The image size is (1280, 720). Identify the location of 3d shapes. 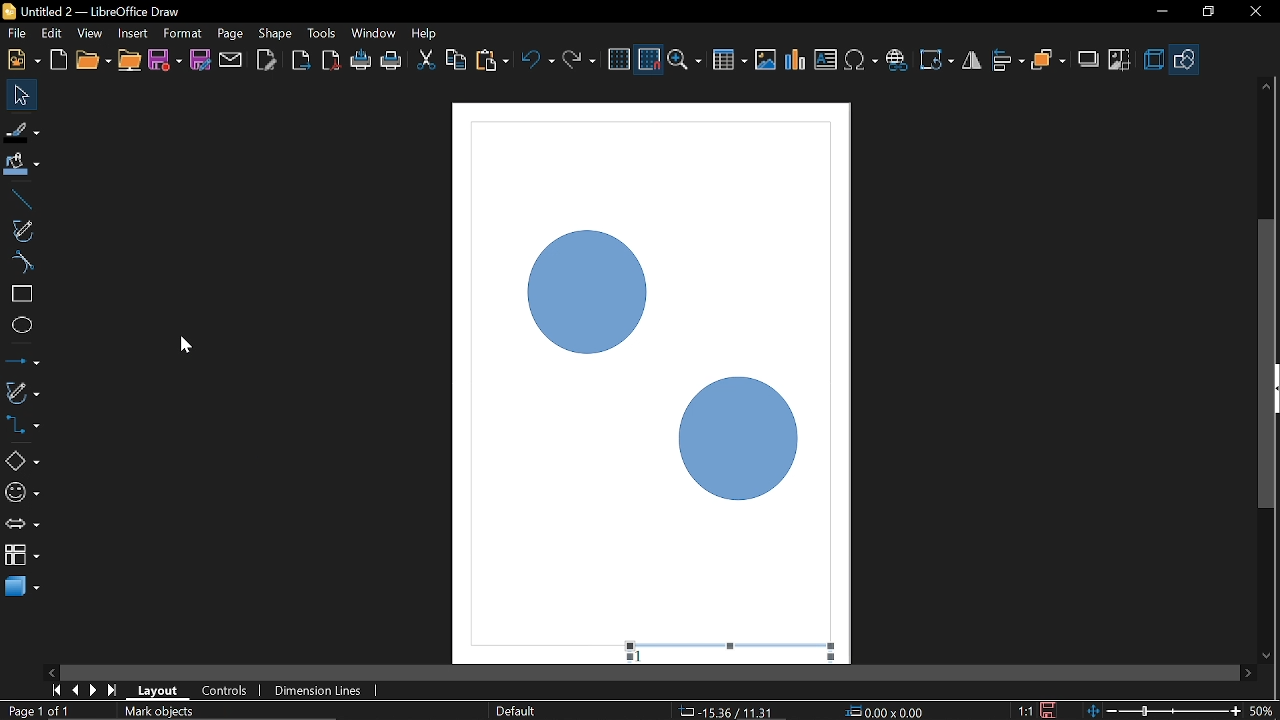
(22, 585).